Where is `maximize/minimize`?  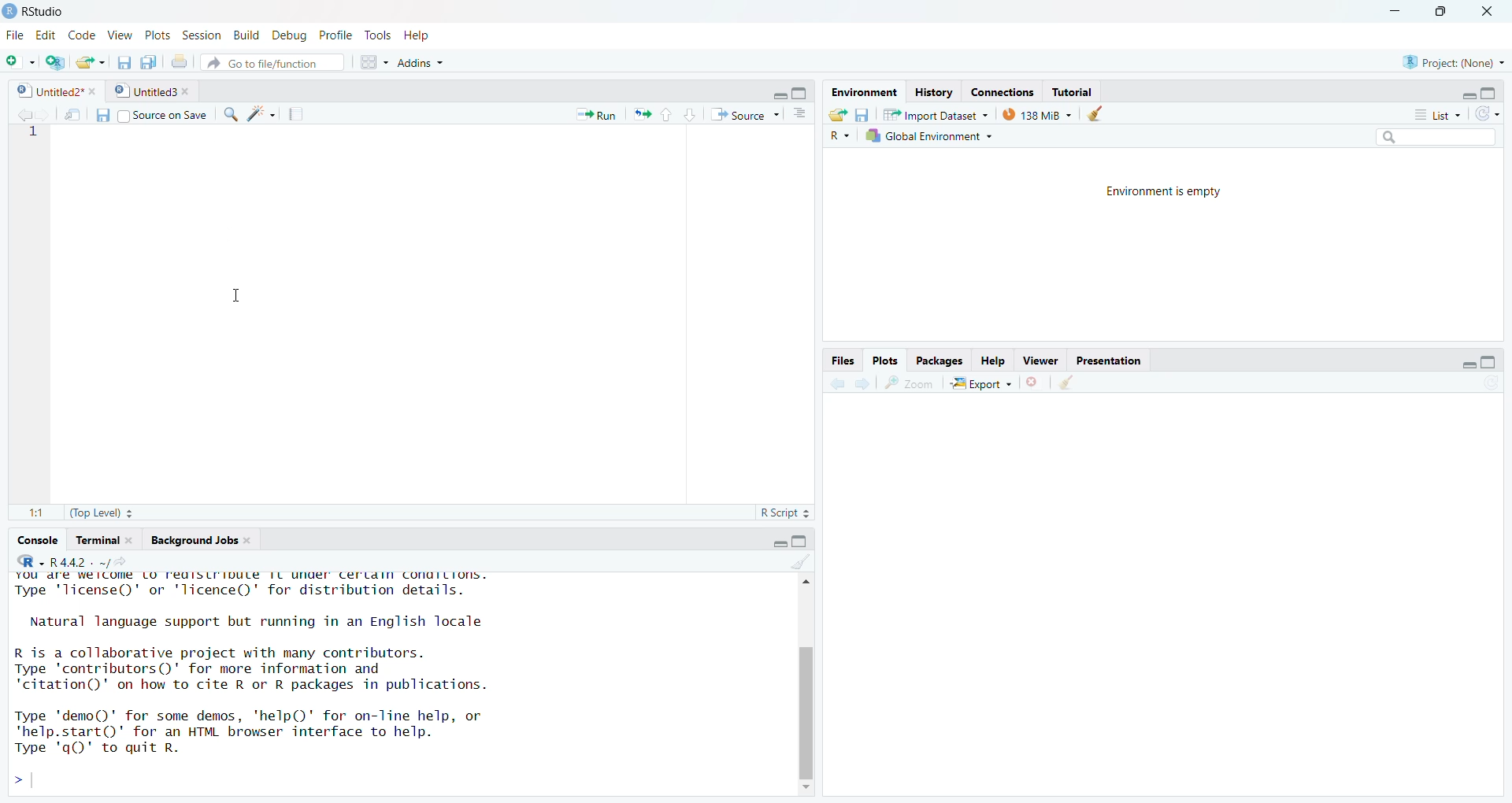 maximize/minimize is located at coordinates (1472, 360).